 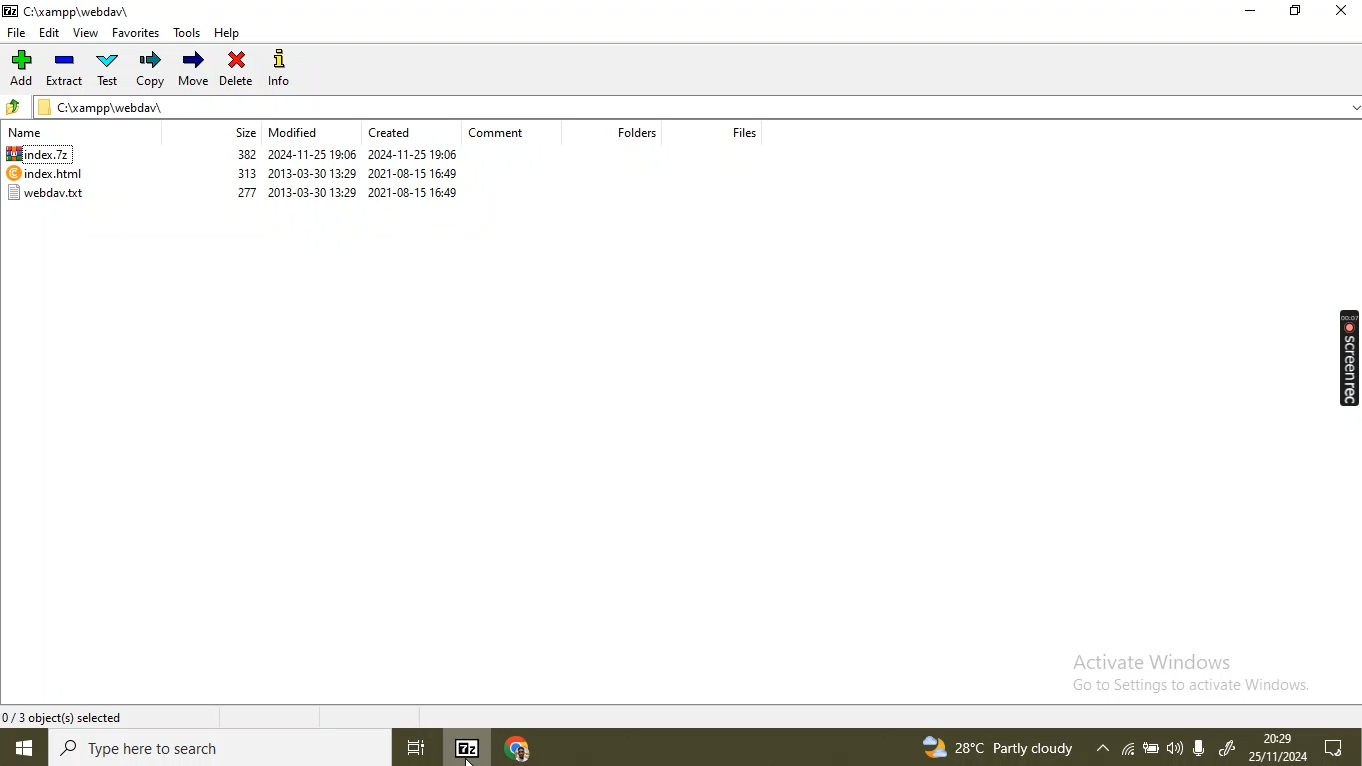 What do you see at coordinates (1000, 748) in the screenshot?
I see `28 degree partly cloudly` at bounding box center [1000, 748].